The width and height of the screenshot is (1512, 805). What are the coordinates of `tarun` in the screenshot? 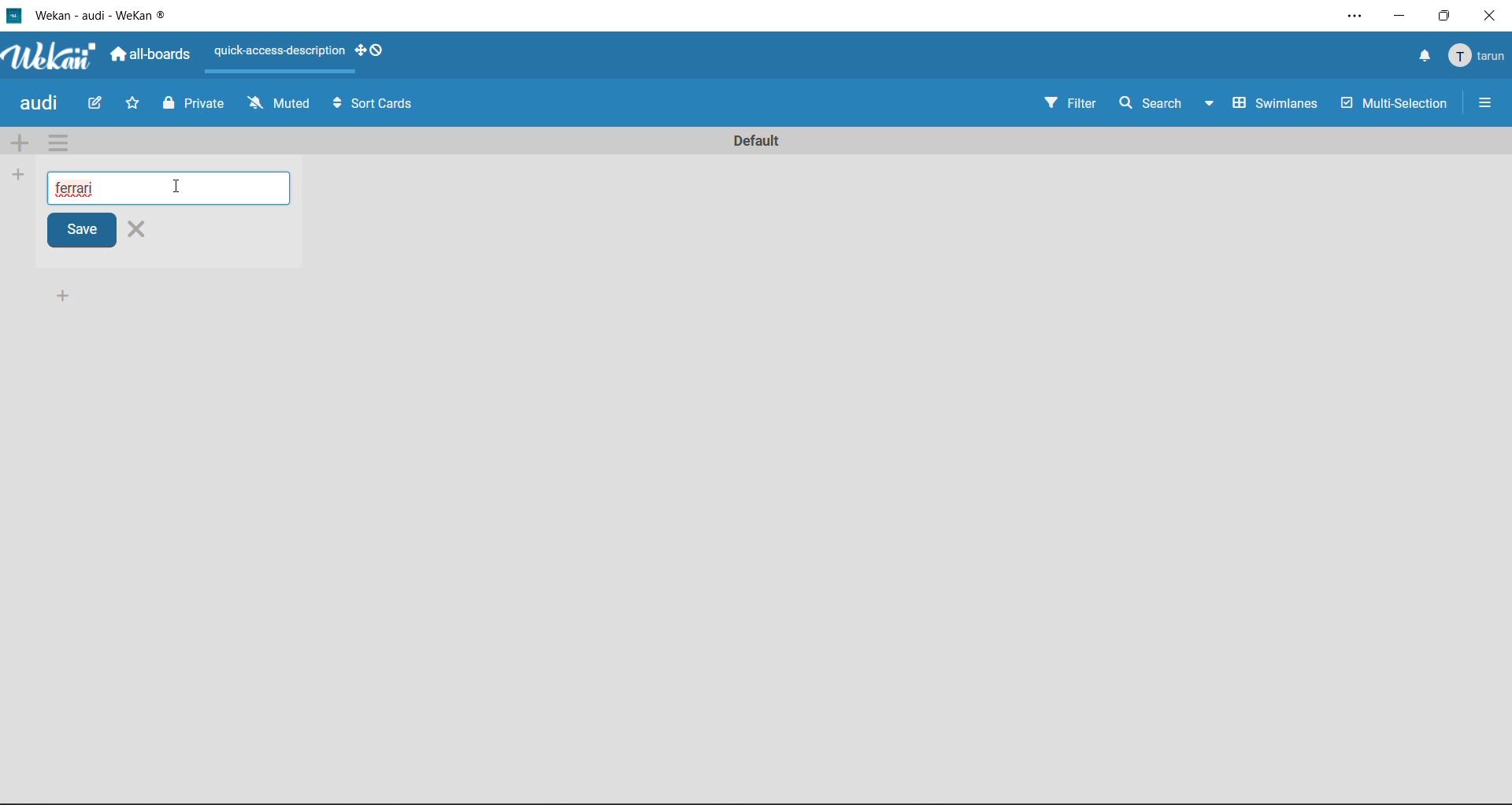 It's located at (1479, 59).